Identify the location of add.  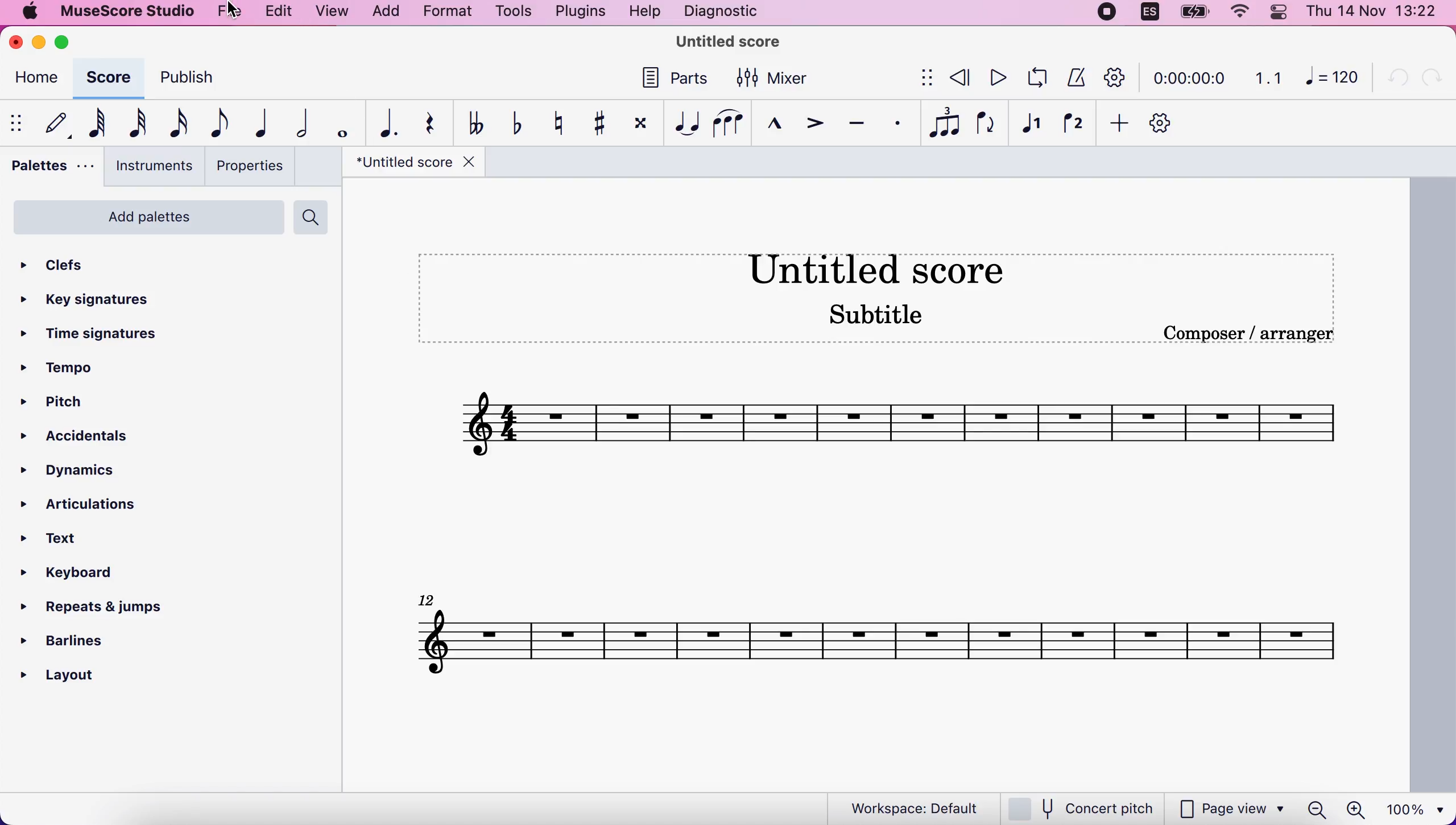
(1115, 121).